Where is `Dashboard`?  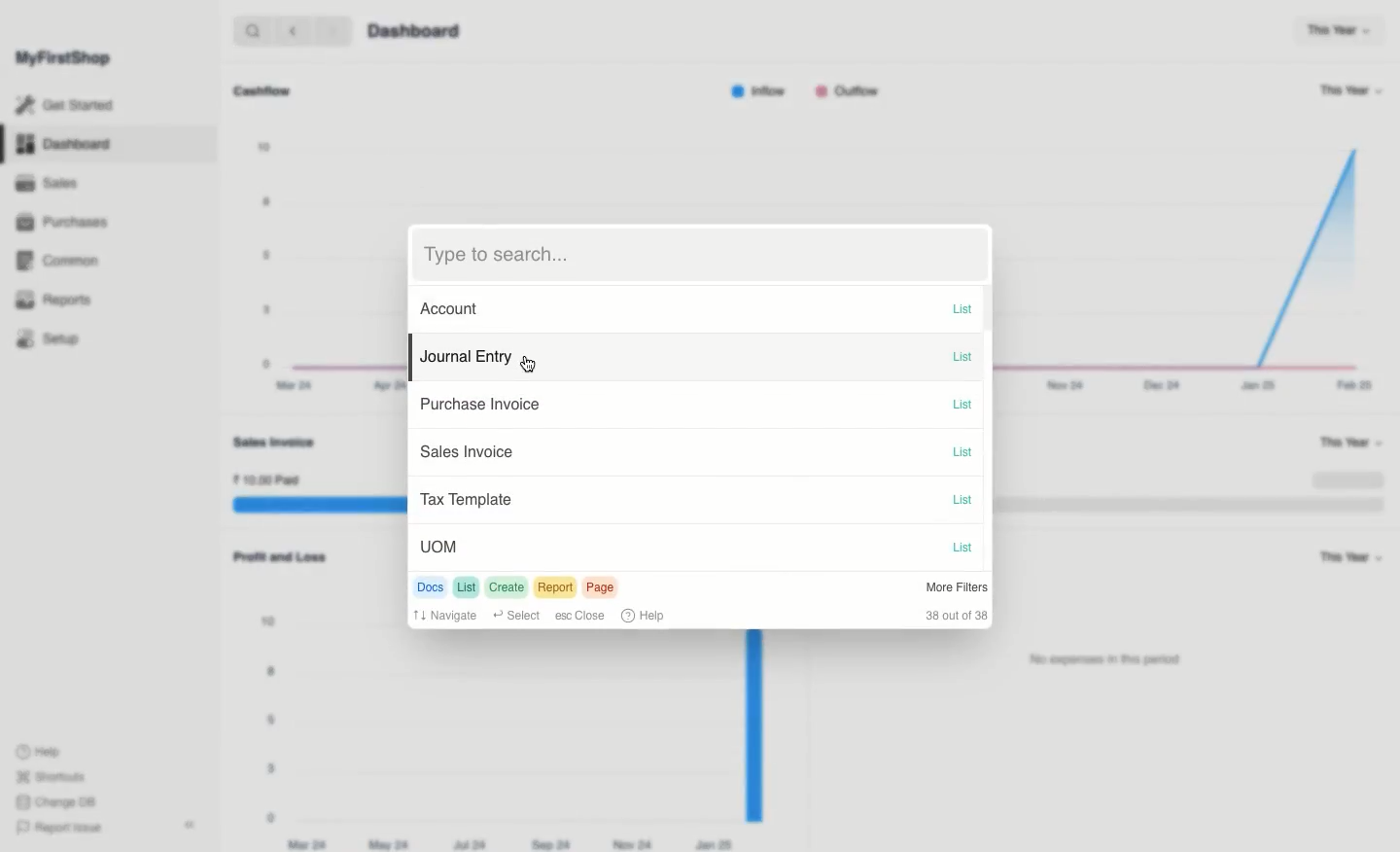
Dashboard is located at coordinates (417, 32).